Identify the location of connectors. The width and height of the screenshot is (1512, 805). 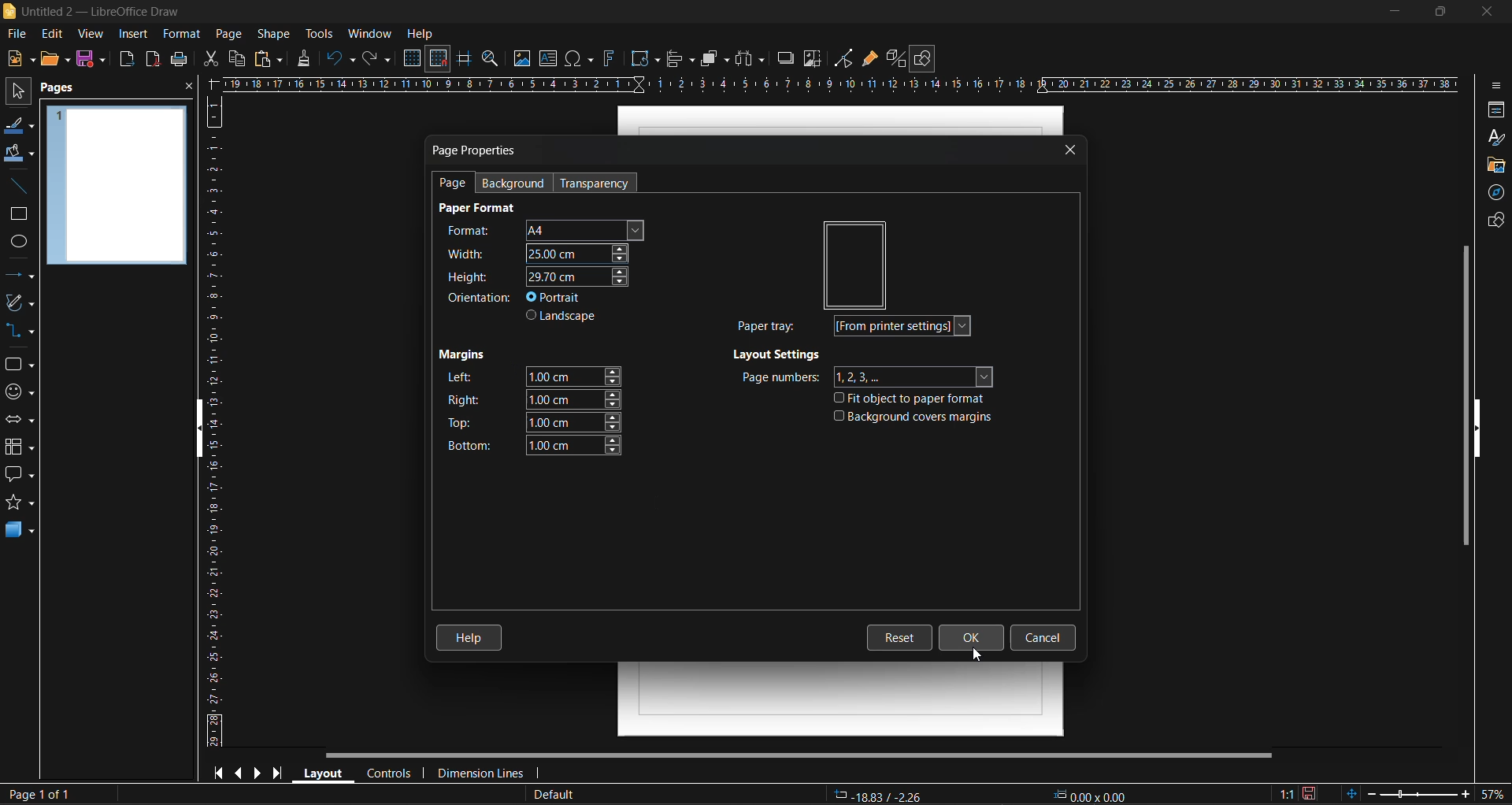
(20, 332).